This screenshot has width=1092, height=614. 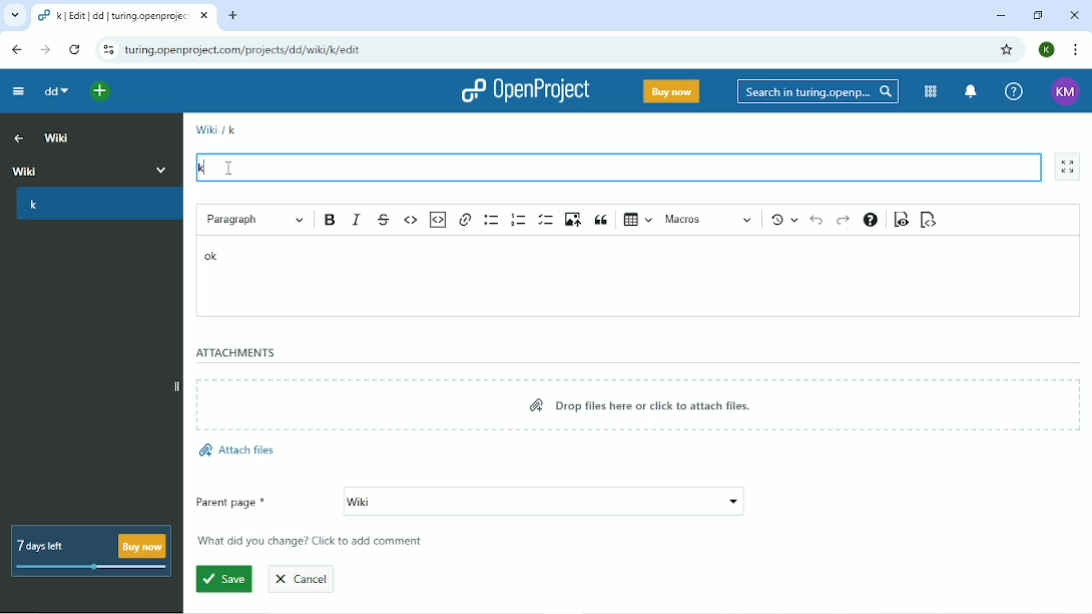 I want to click on Forward, so click(x=45, y=50).